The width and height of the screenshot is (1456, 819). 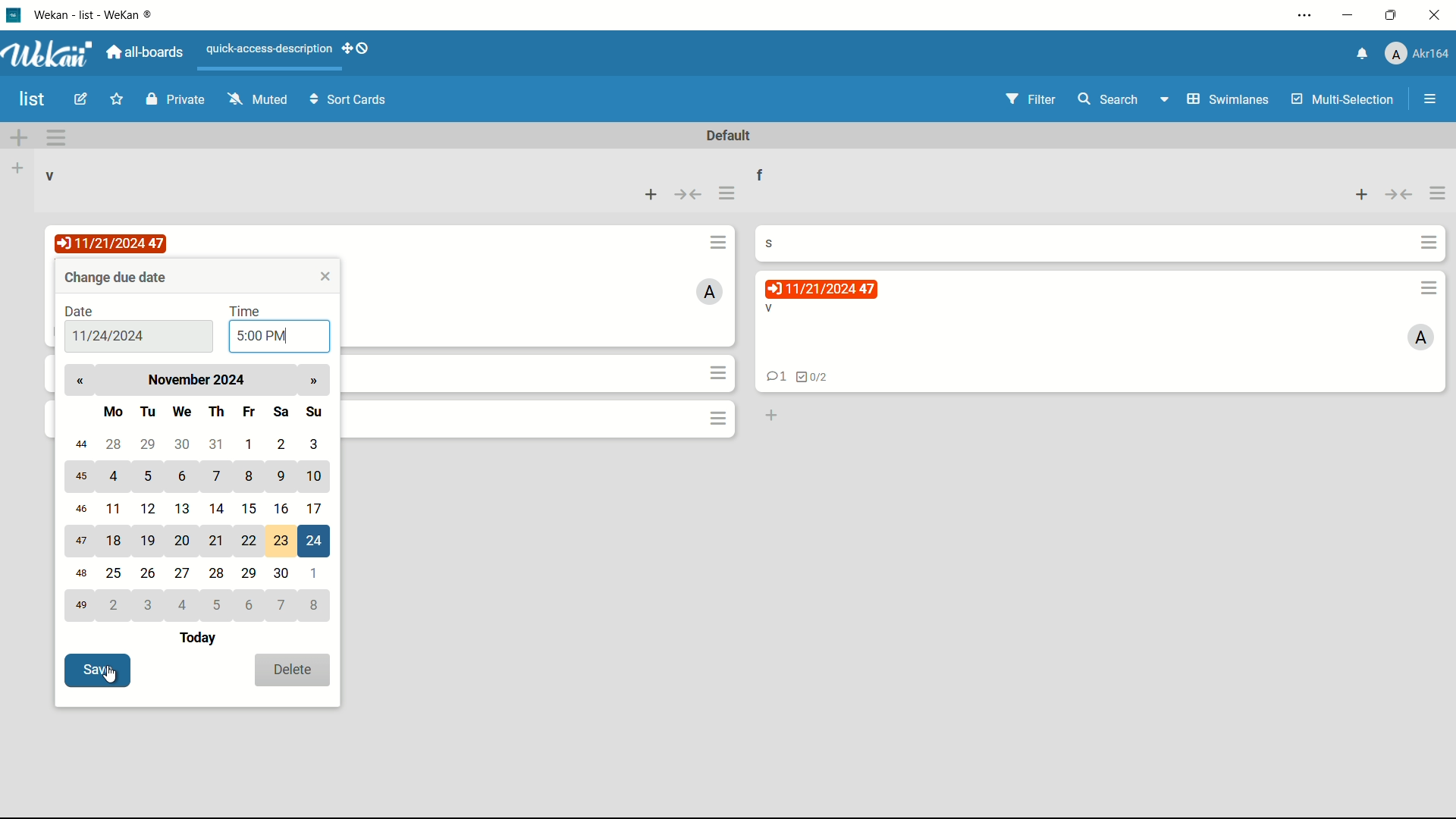 I want to click on add list, so click(x=20, y=168).